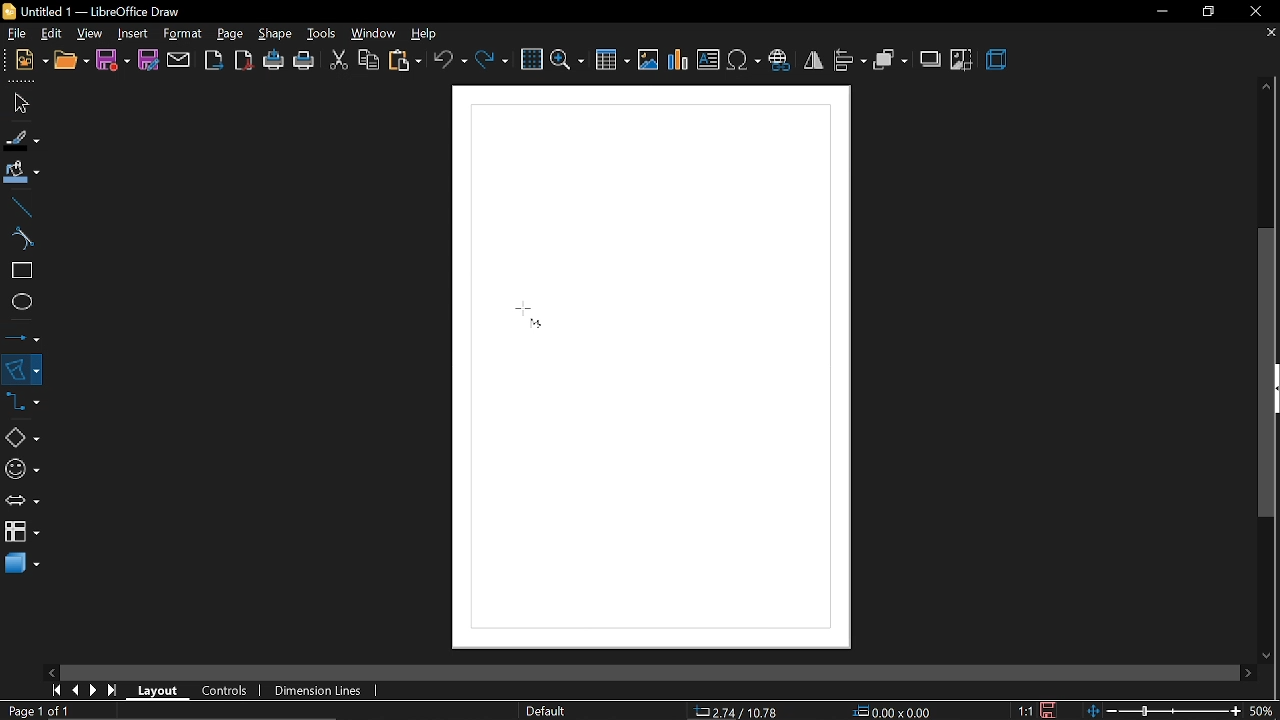 The image size is (1280, 720). I want to click on Cursor, so click(527, 318).